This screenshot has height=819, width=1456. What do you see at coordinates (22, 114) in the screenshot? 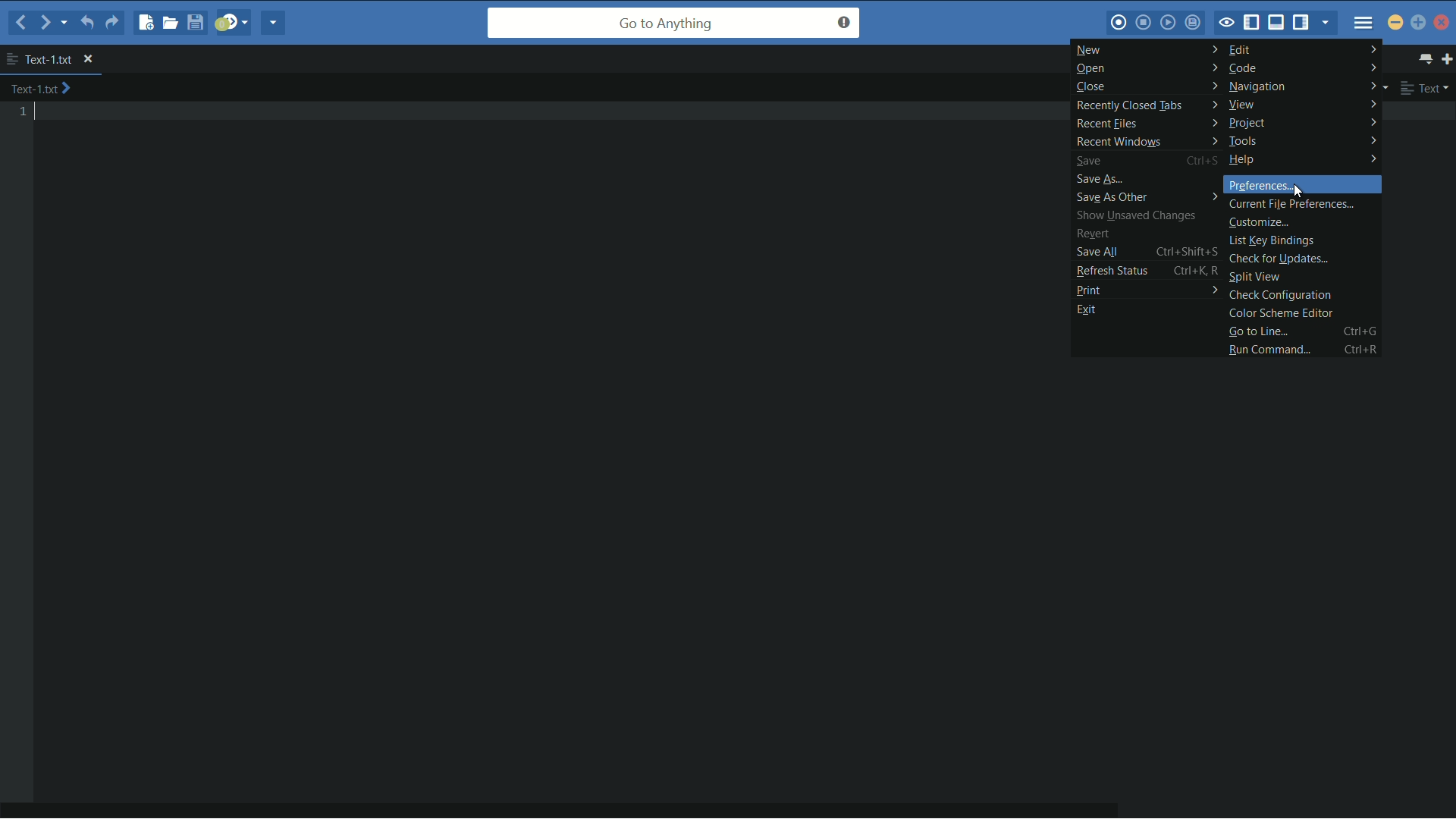
I see `line number` at bounding box center [22, 114].